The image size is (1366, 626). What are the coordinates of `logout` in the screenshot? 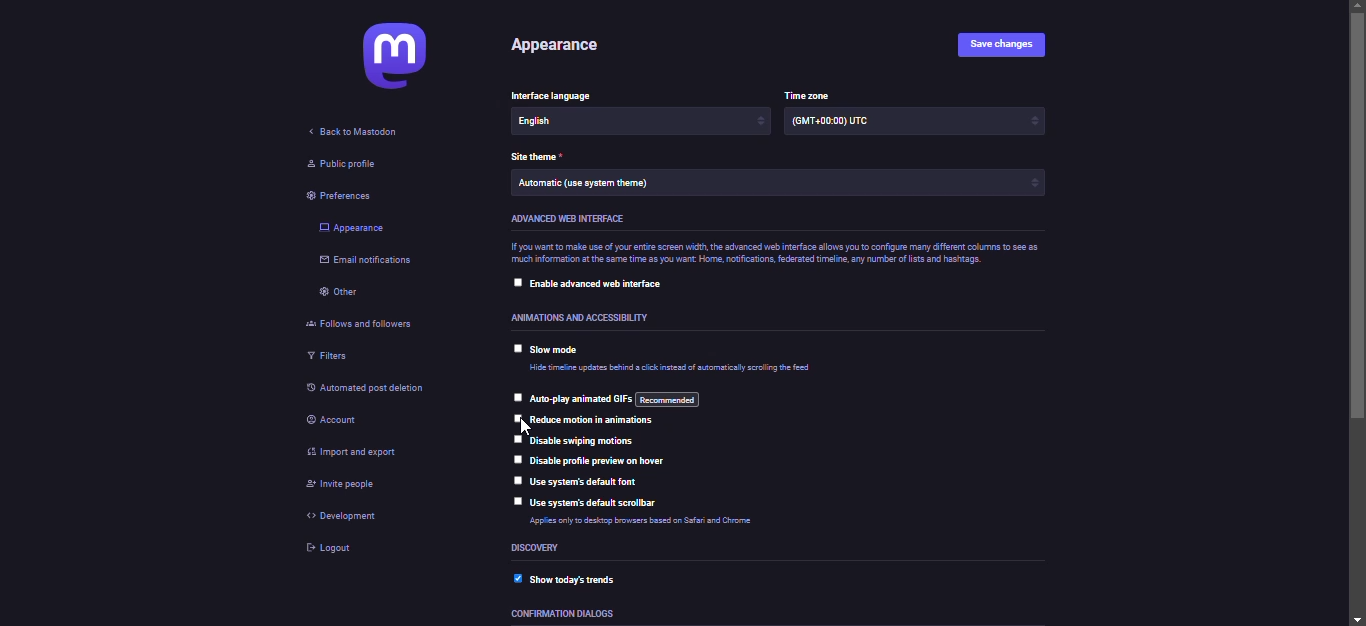 It's located at (334, 552).